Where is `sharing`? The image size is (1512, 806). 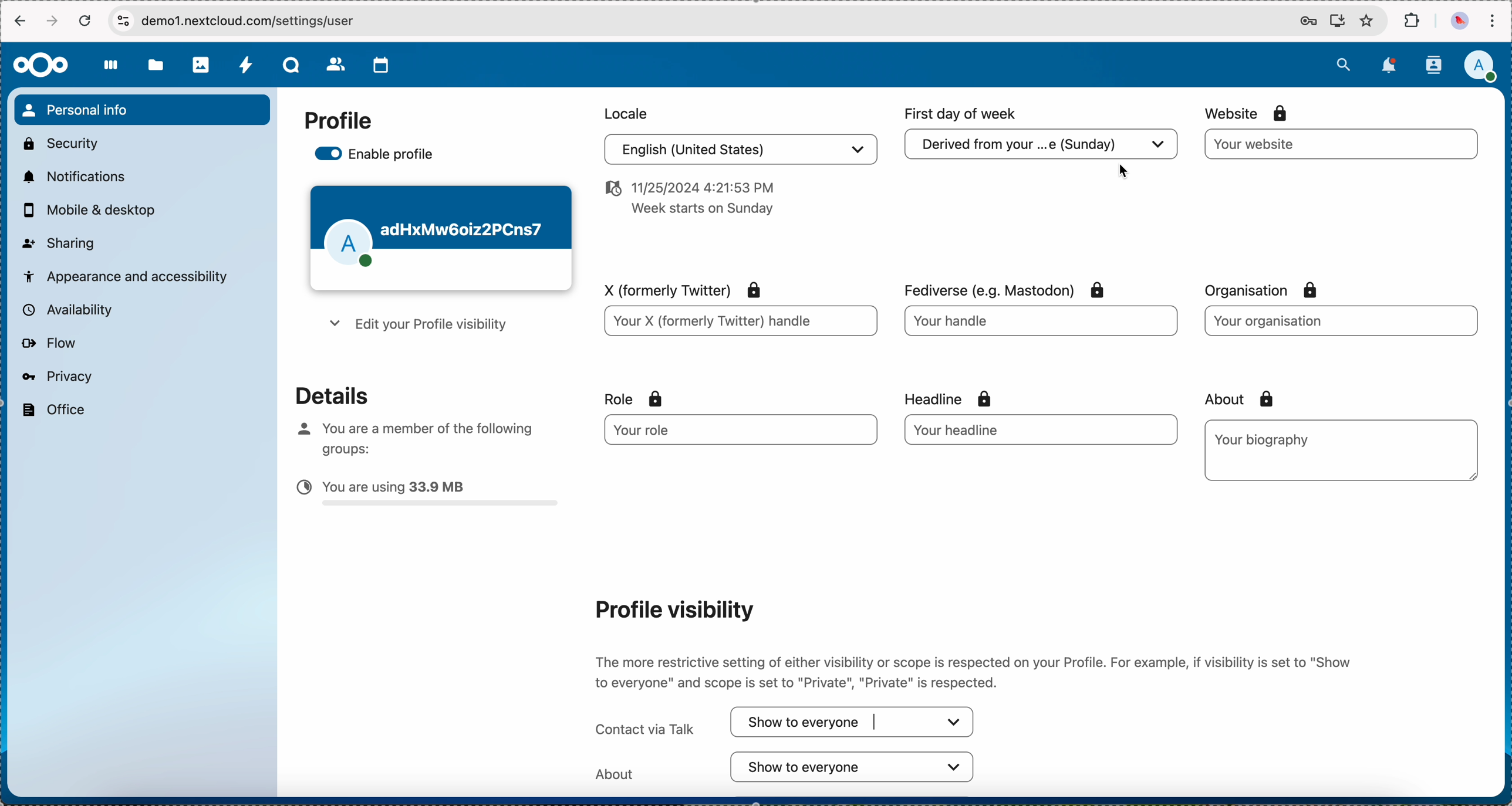 sharing is located at coordinates (59, 242).